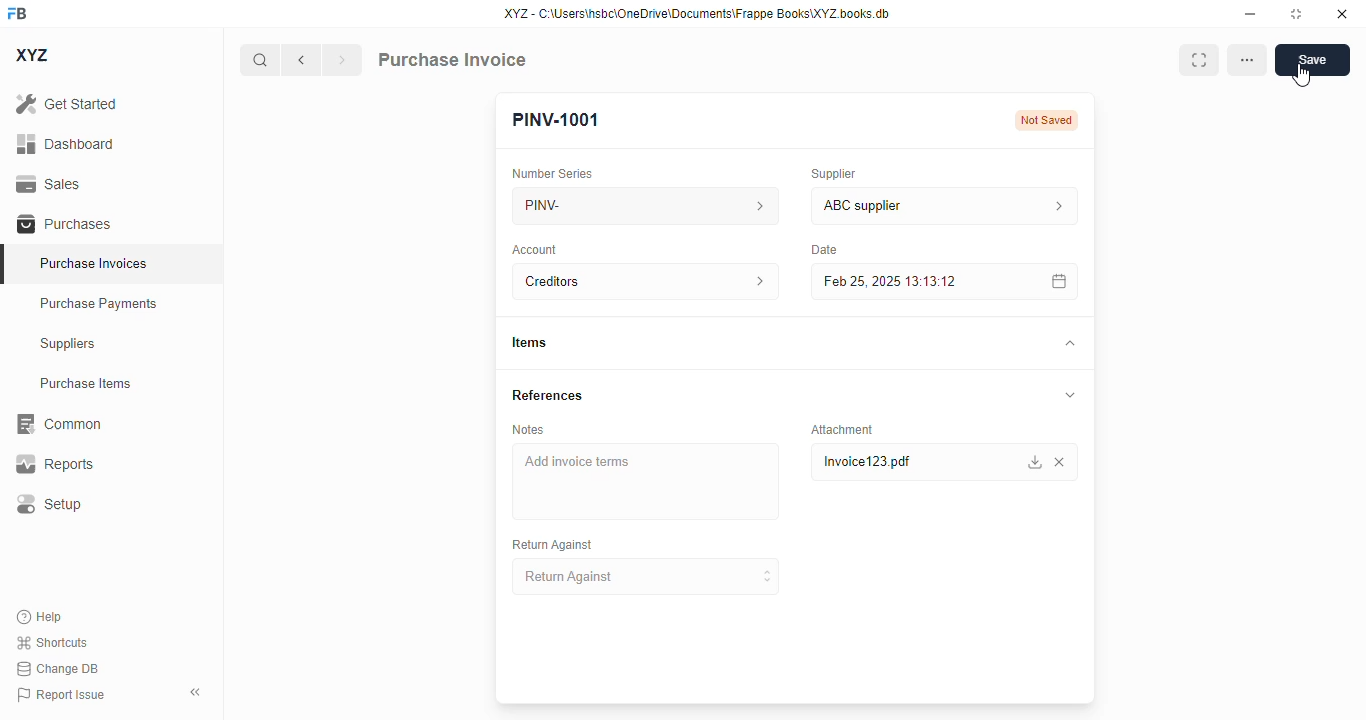  What do you see at coordinates (528, 429) in the screenshot?
I see `notes` at bounding box center [528, 429].